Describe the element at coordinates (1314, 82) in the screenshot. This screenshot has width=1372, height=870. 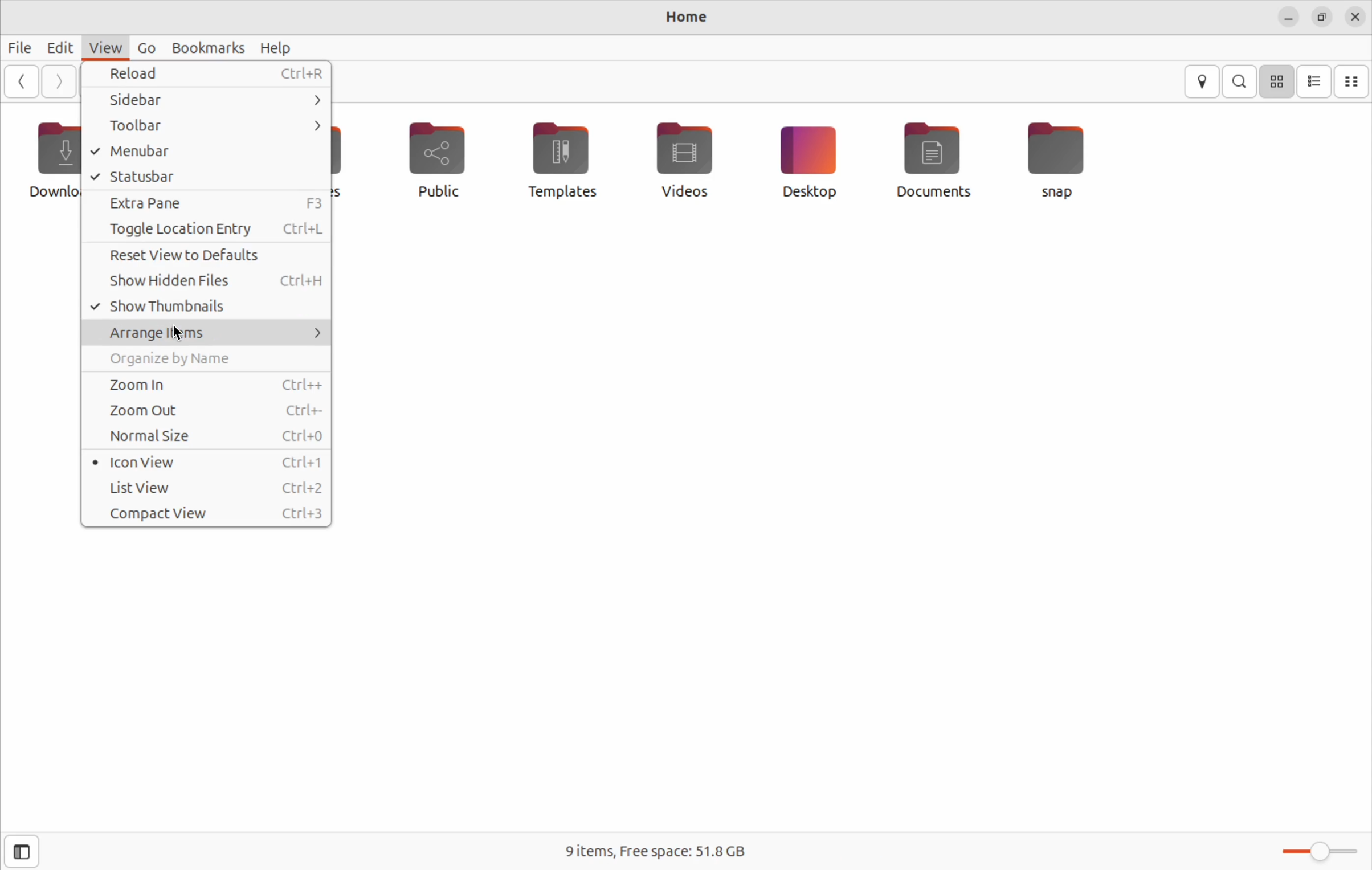
I see `list view` at that location.